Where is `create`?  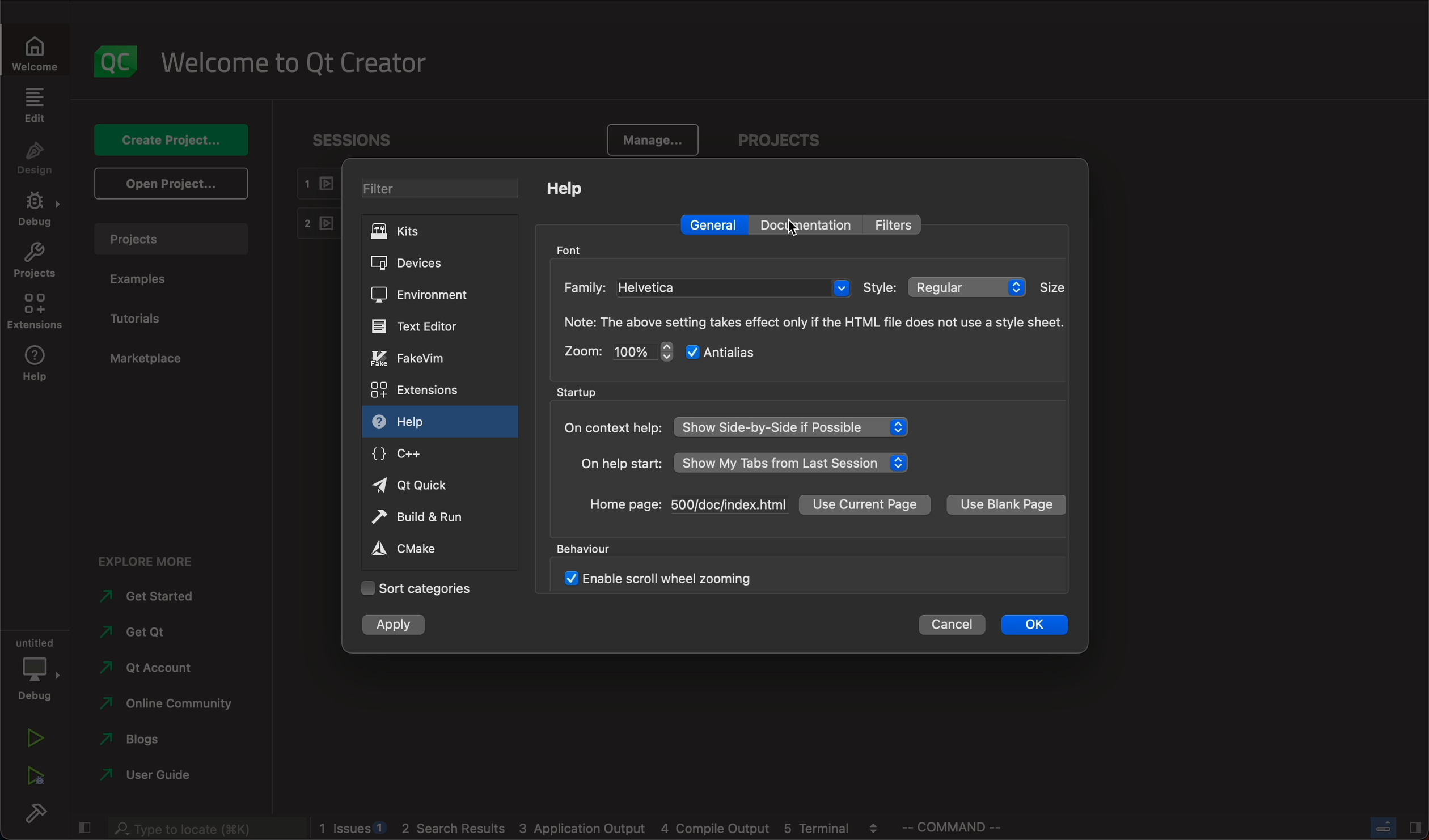
create is located at coordinates (173, 140).